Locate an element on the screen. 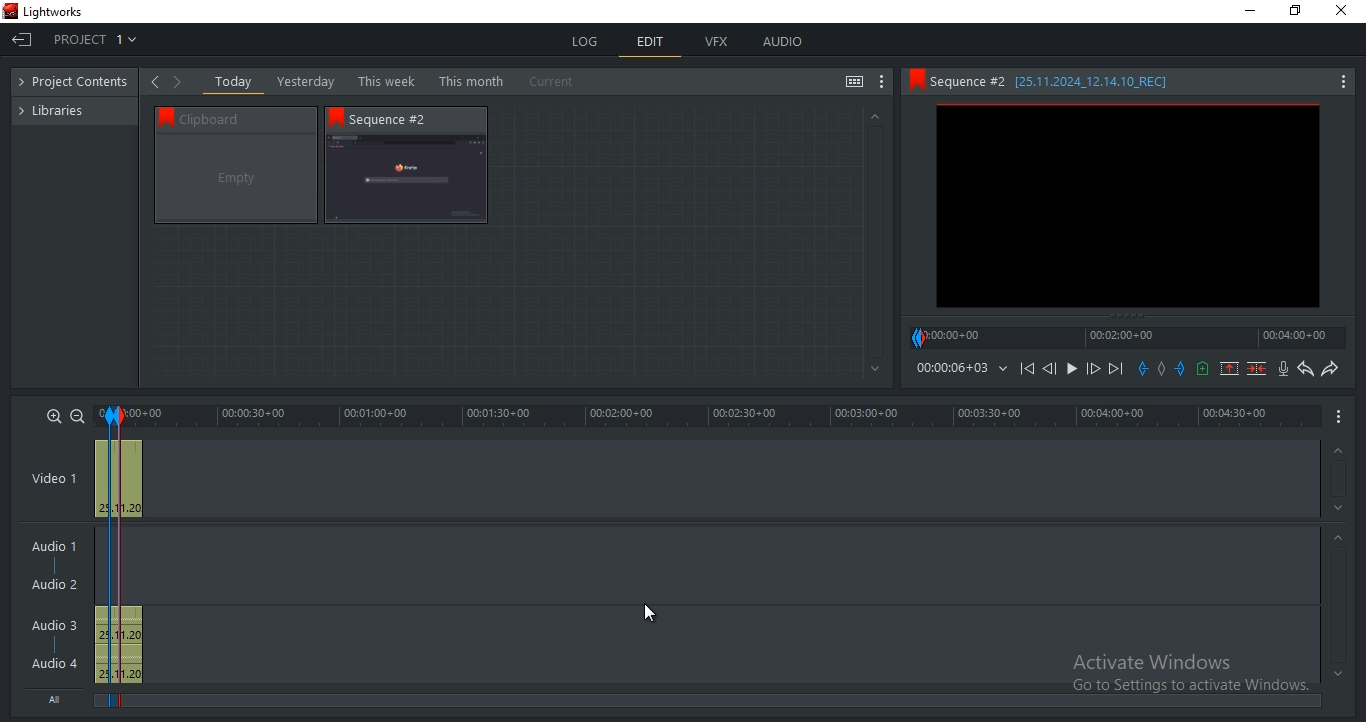  Clipboard is located at coordinates (245, 118).